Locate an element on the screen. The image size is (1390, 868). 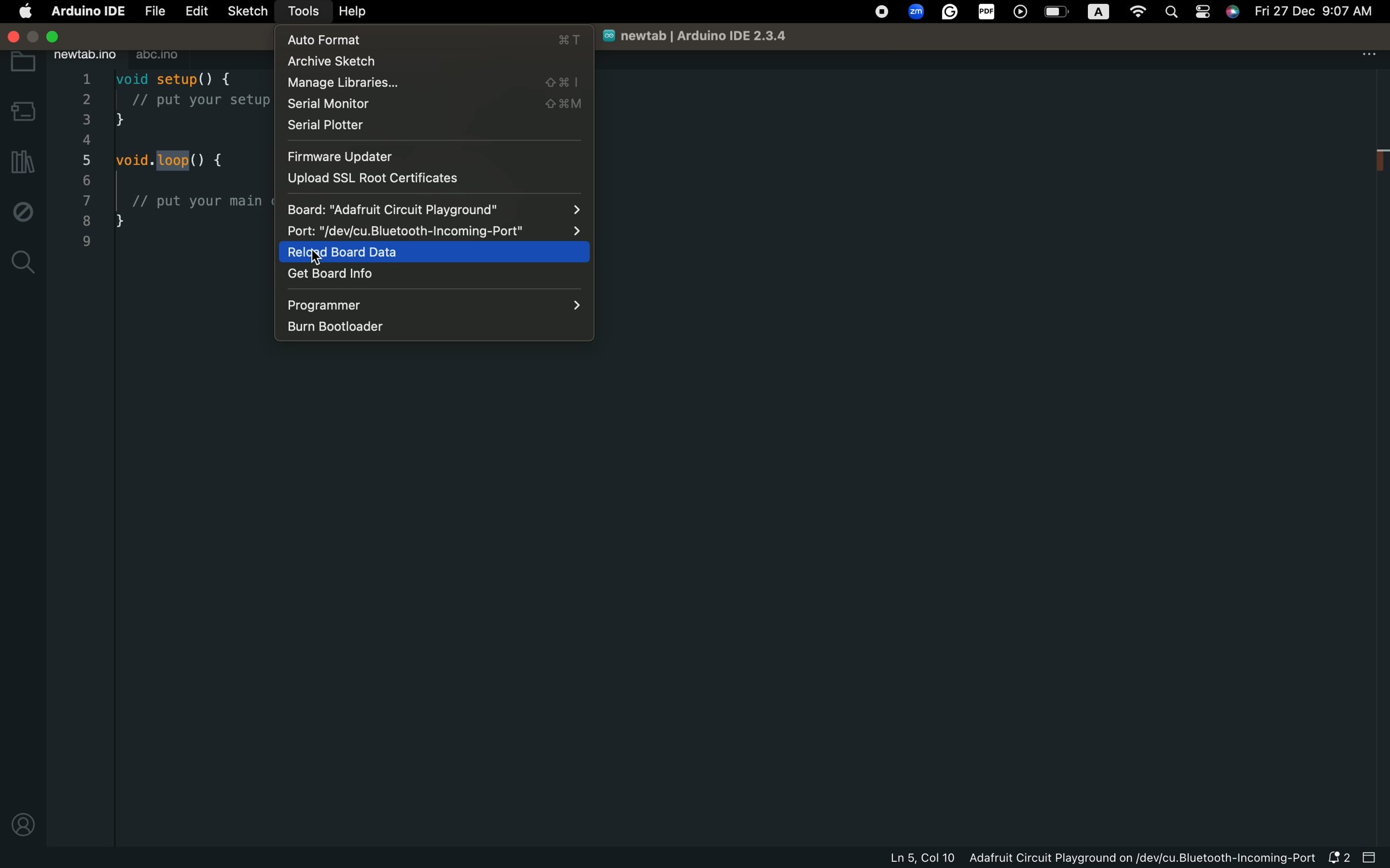
search is located at coordinates (22, 264).